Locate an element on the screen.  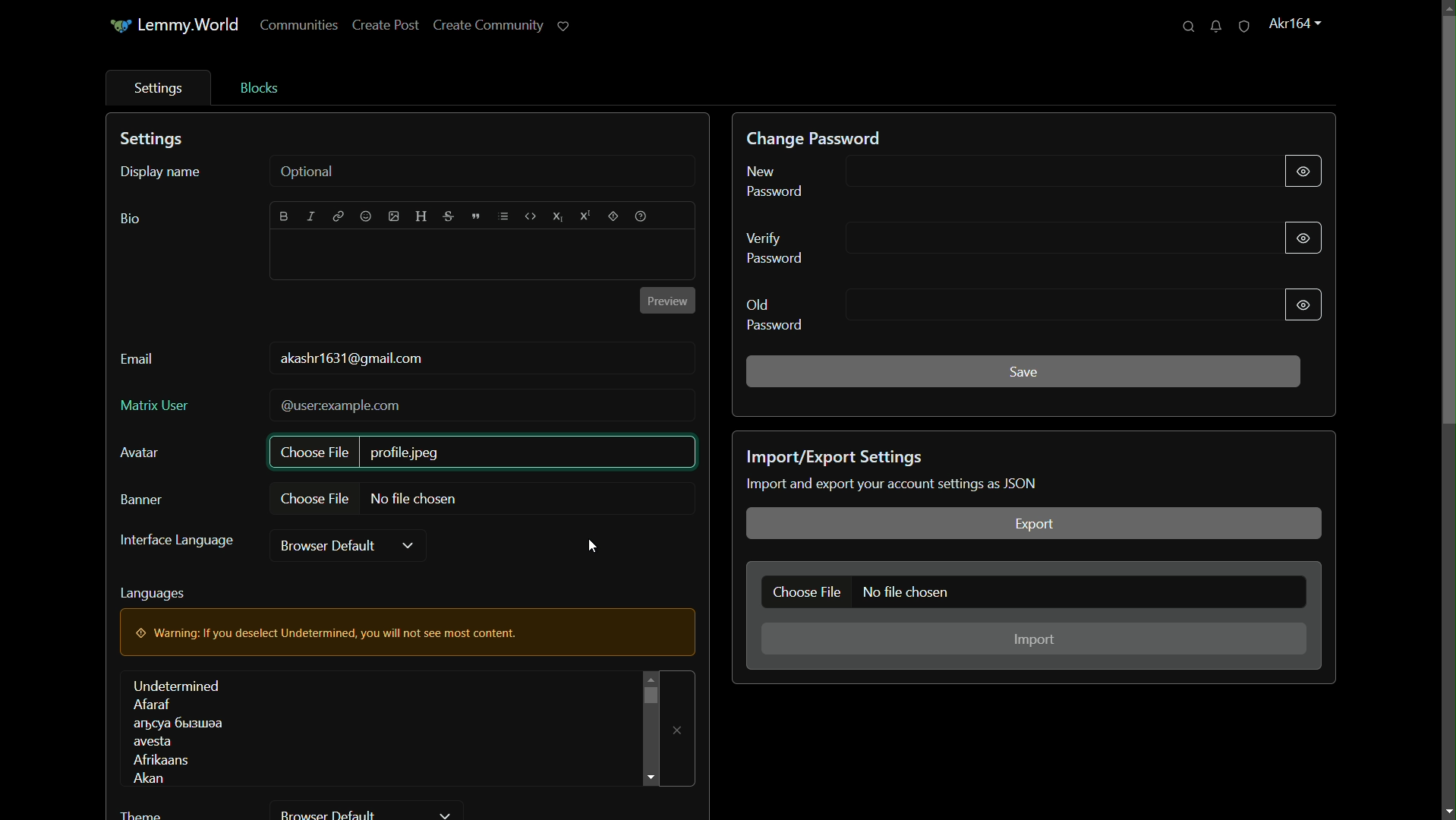
verify password is located at coordinates (780, 248).